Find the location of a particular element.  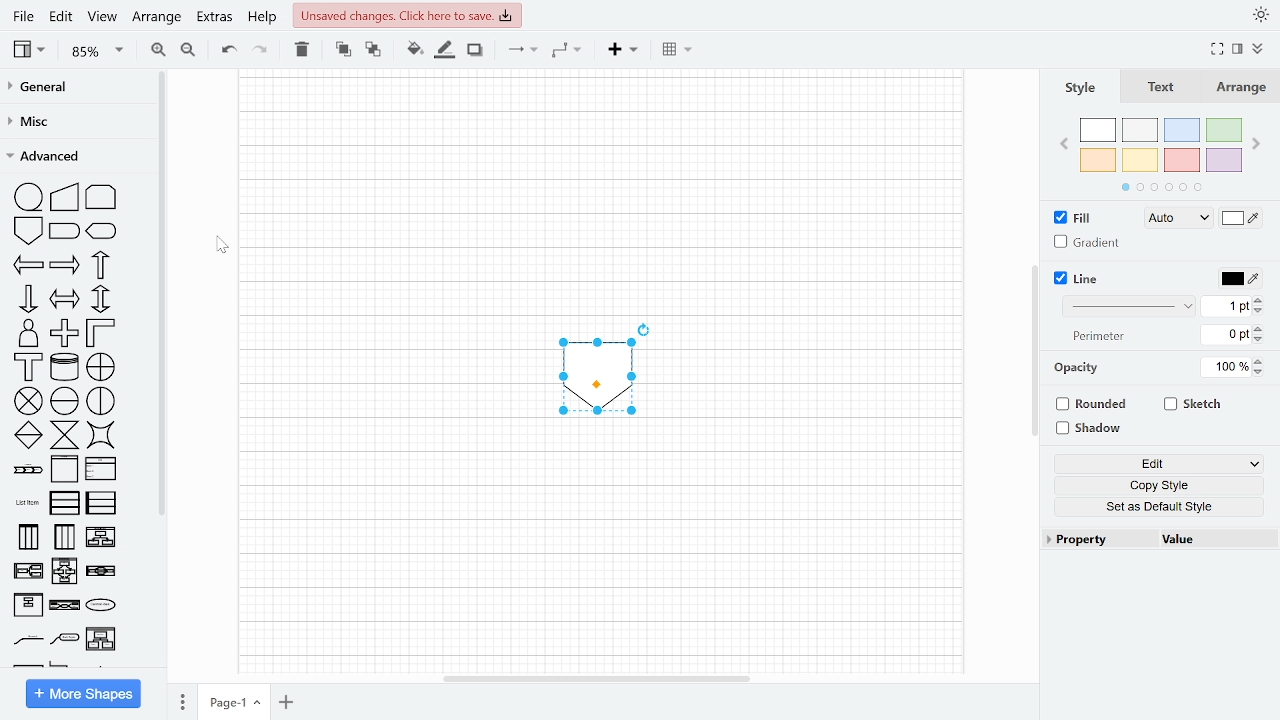

double arrow  is located at coordinates (66, 298).